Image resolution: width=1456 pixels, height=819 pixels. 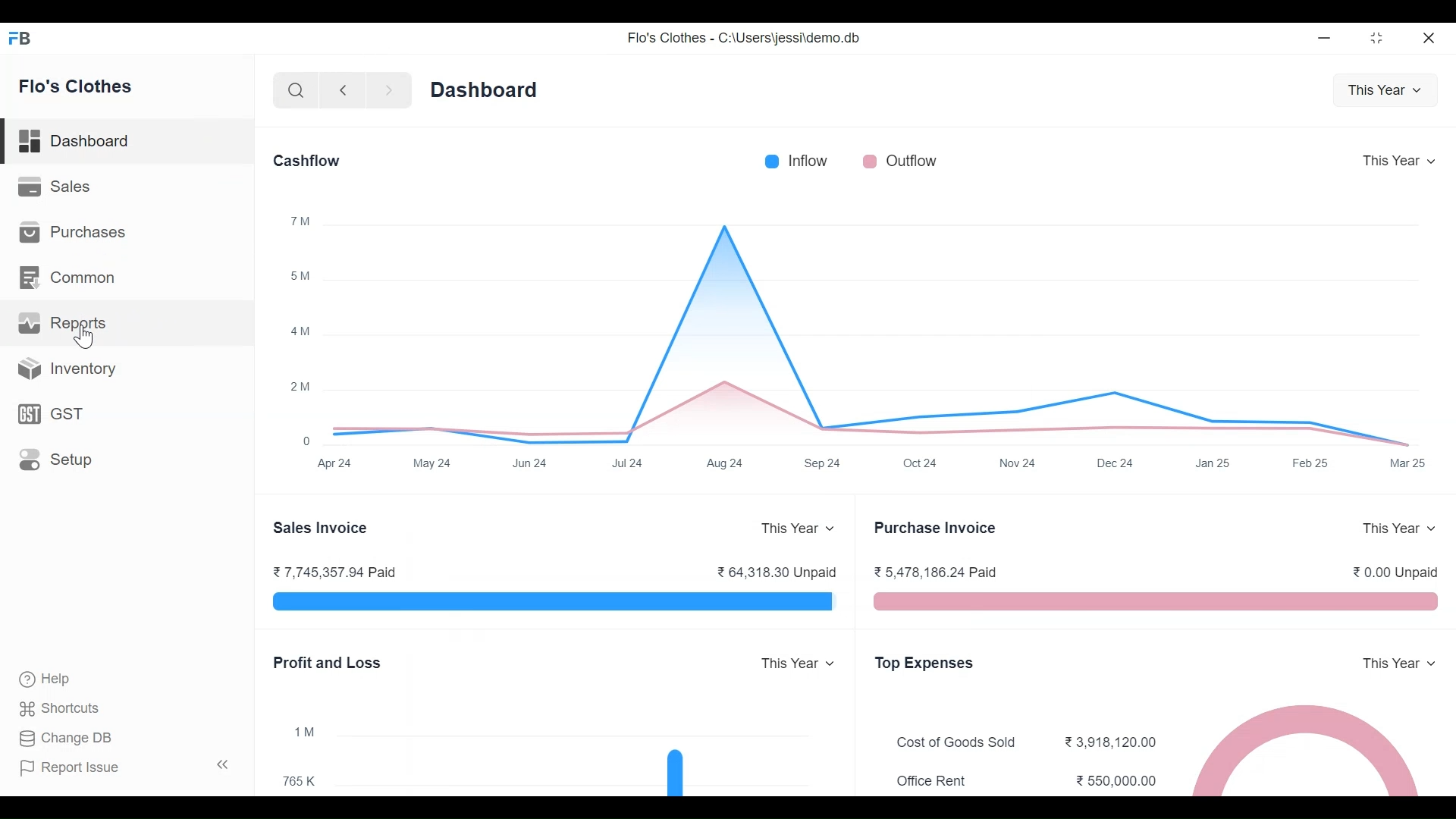 I want to click on This Year , so click(x=799, y=664).